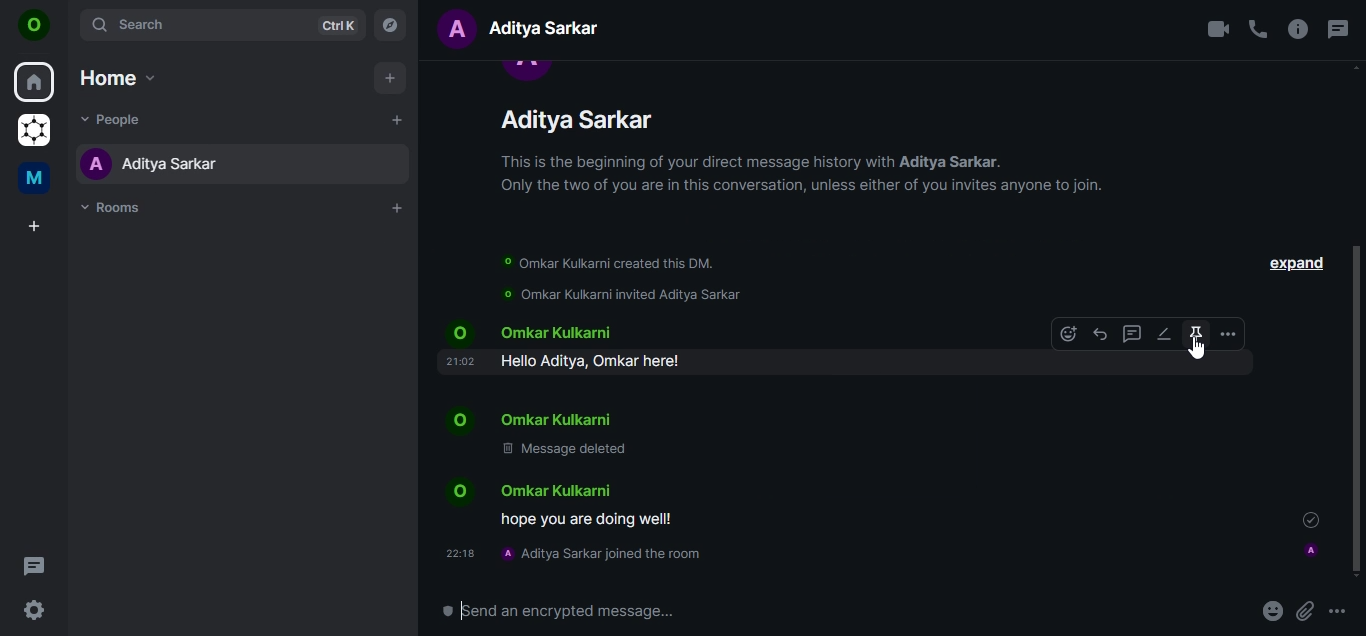  Describe the element at coordinates (1340, 611) in the screenshot. I see `more options` at that location.